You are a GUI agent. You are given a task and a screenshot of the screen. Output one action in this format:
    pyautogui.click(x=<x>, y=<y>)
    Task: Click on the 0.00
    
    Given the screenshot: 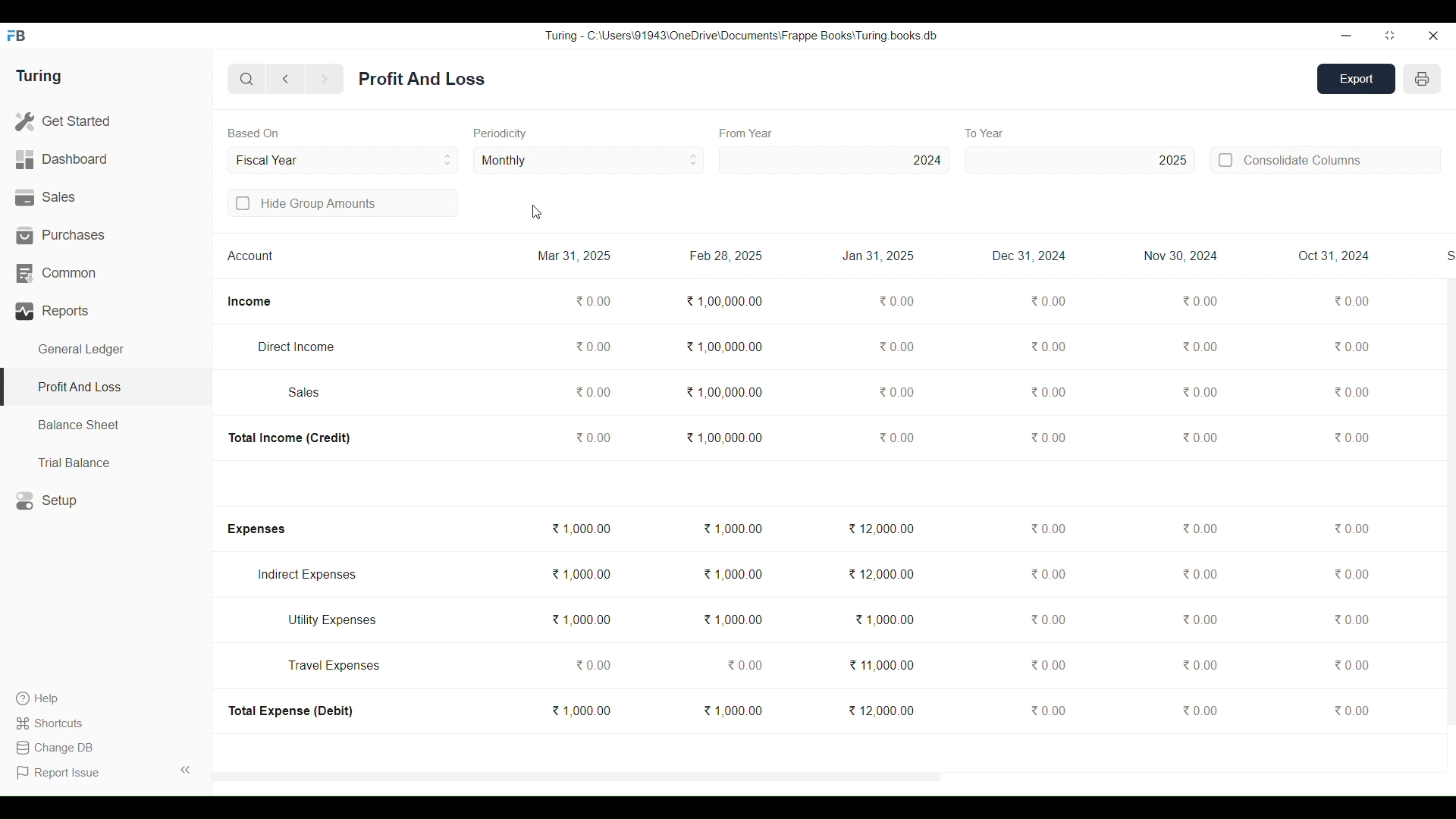 What is the action you would take?
    pyautogui.click(x=1351, y=438)
    